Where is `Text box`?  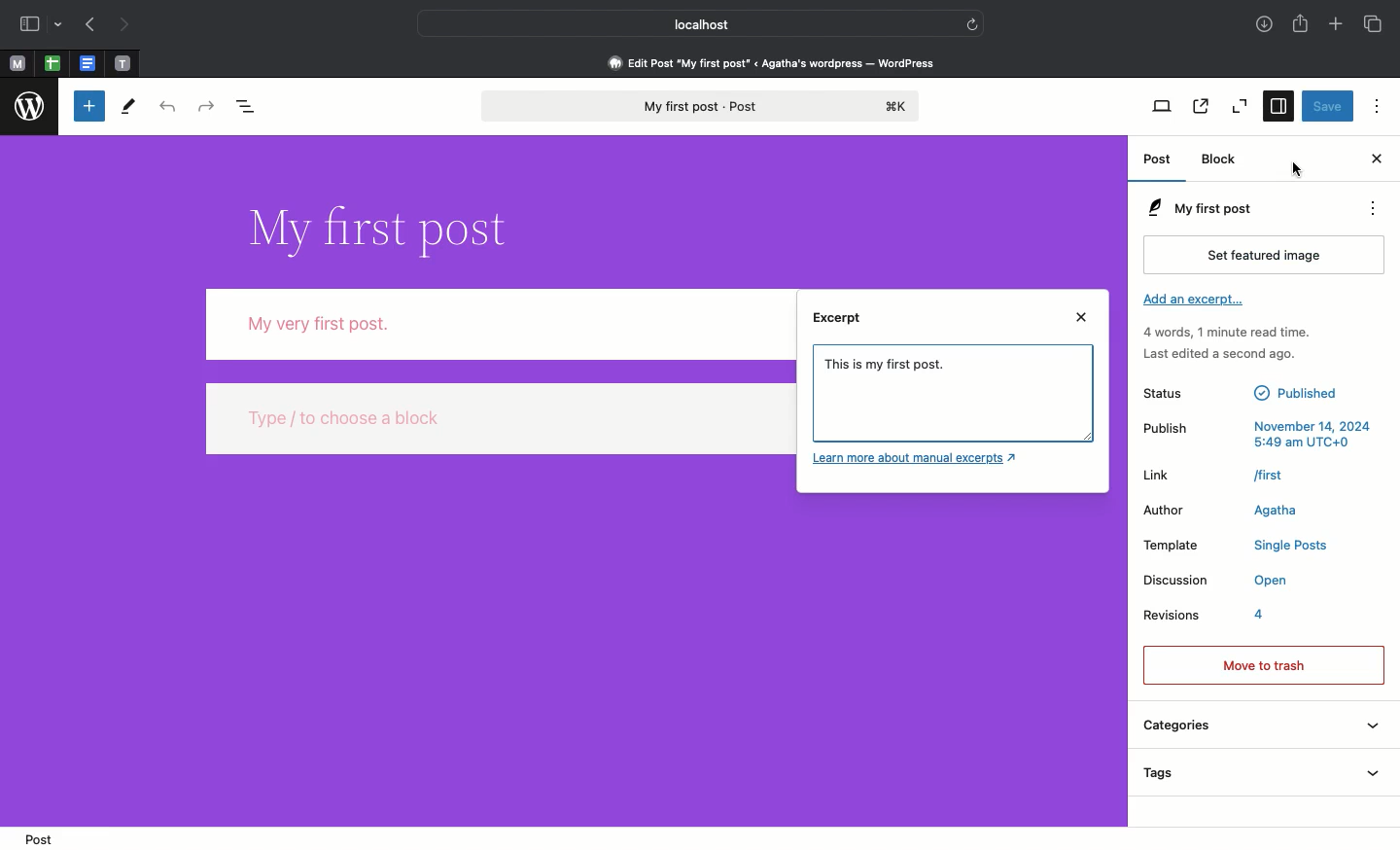
Text box is located at coordinates (960, 414).